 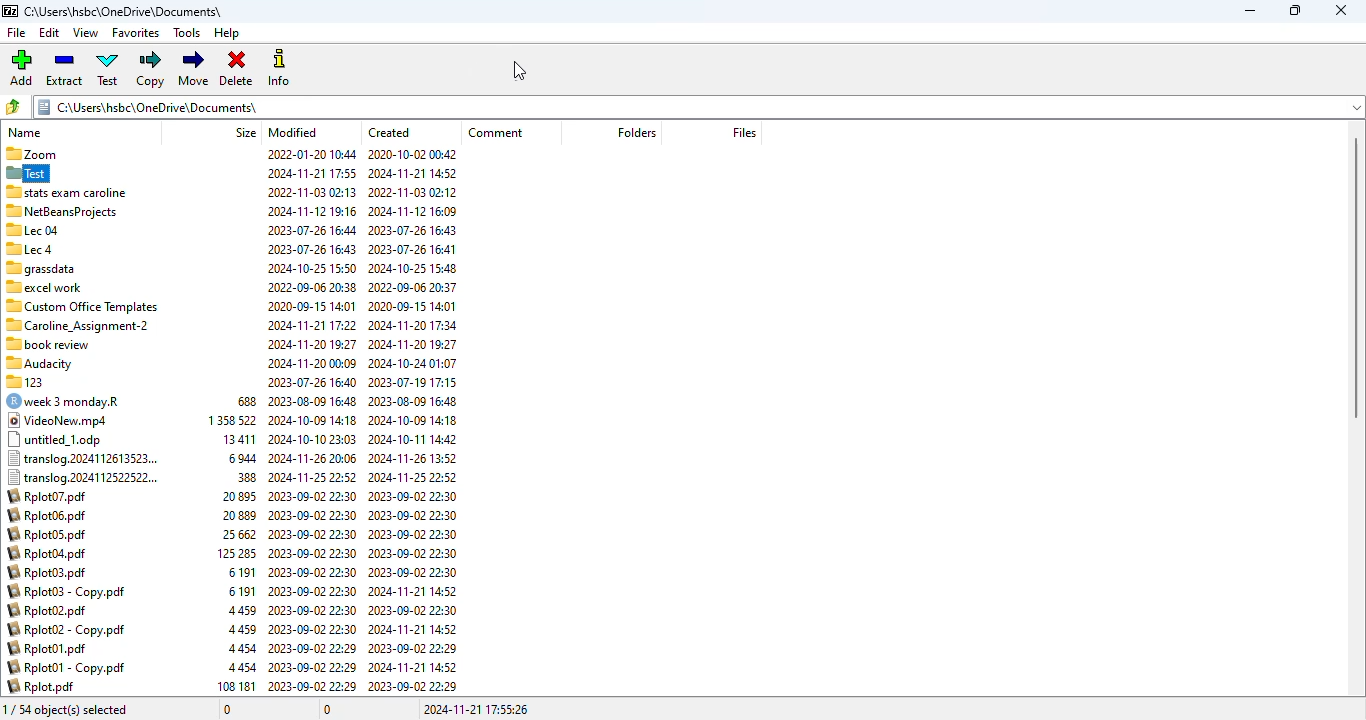 What do you see at coordinates (236, 553) in the screenshot?
I see `125 285` at bounding box center [236, 553].